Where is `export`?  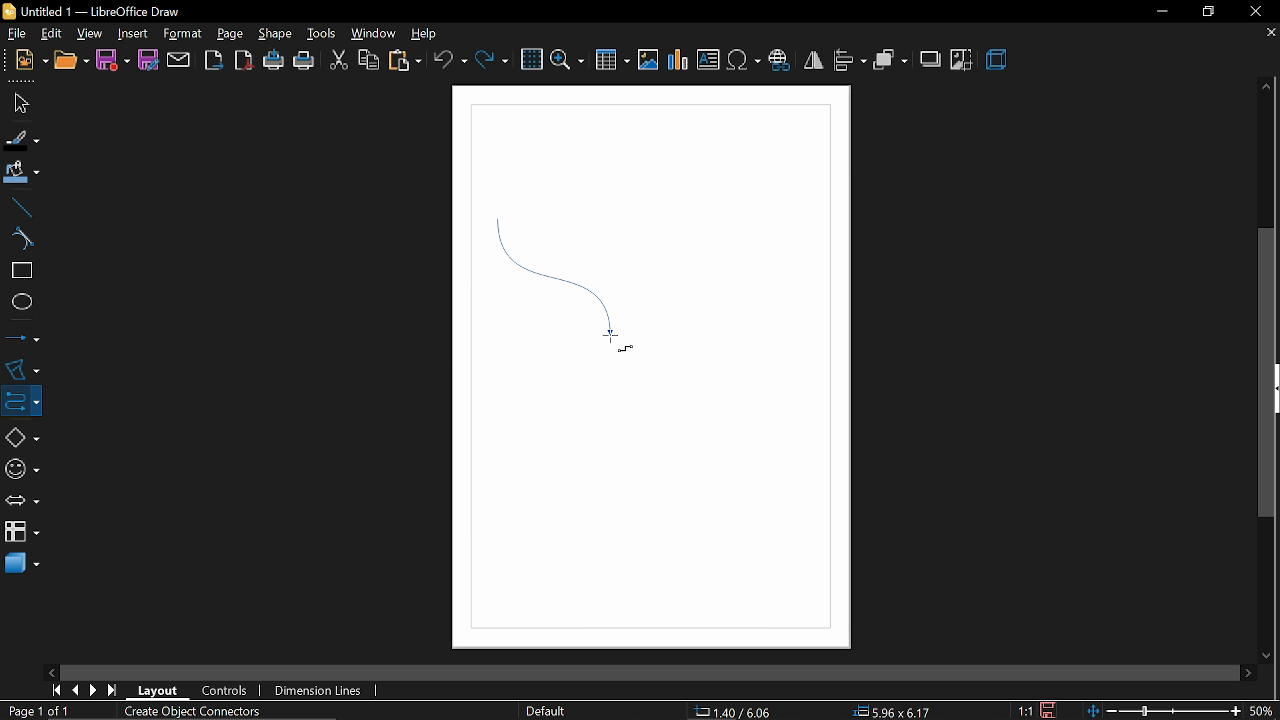
export is located at coordinates (214, 61).